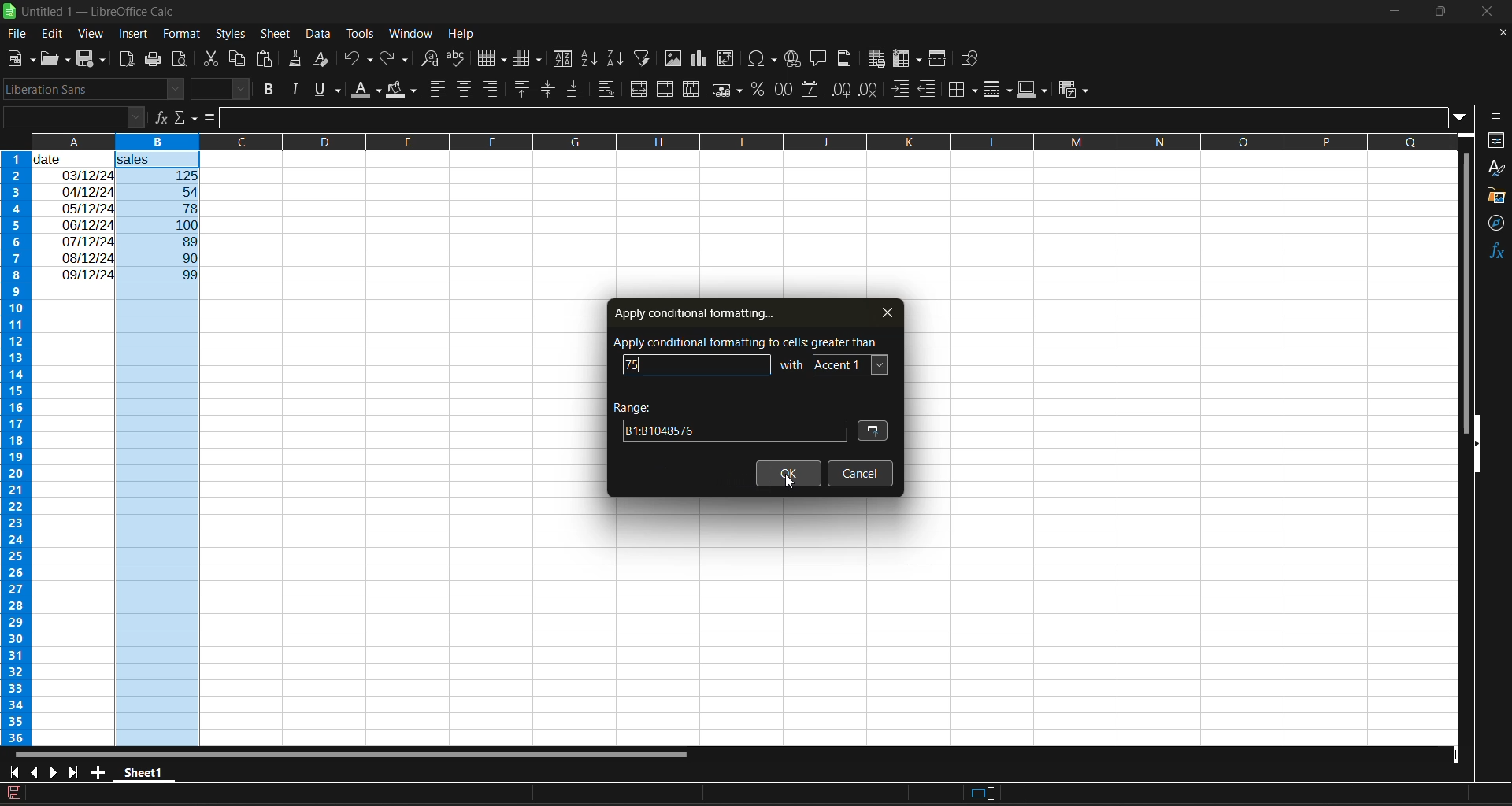  What do you see at coordinates (763, 61) in the screenshot?
I see `insert special characters` at bounding box center [763, 61].